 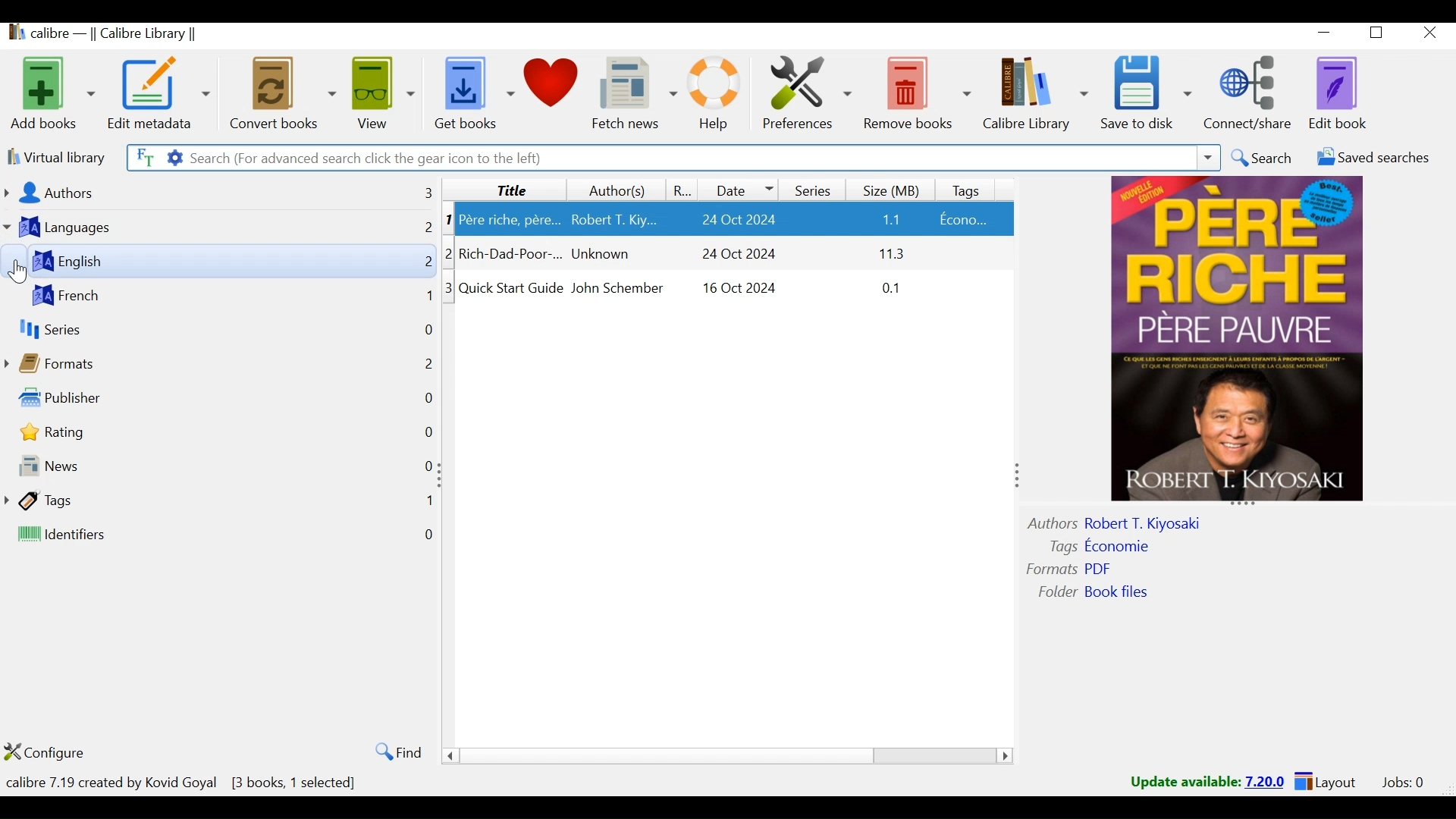 What do you see at coordinates (89, 432) in the screenshot?
I see `Rating` at bounding box center [89, 432].